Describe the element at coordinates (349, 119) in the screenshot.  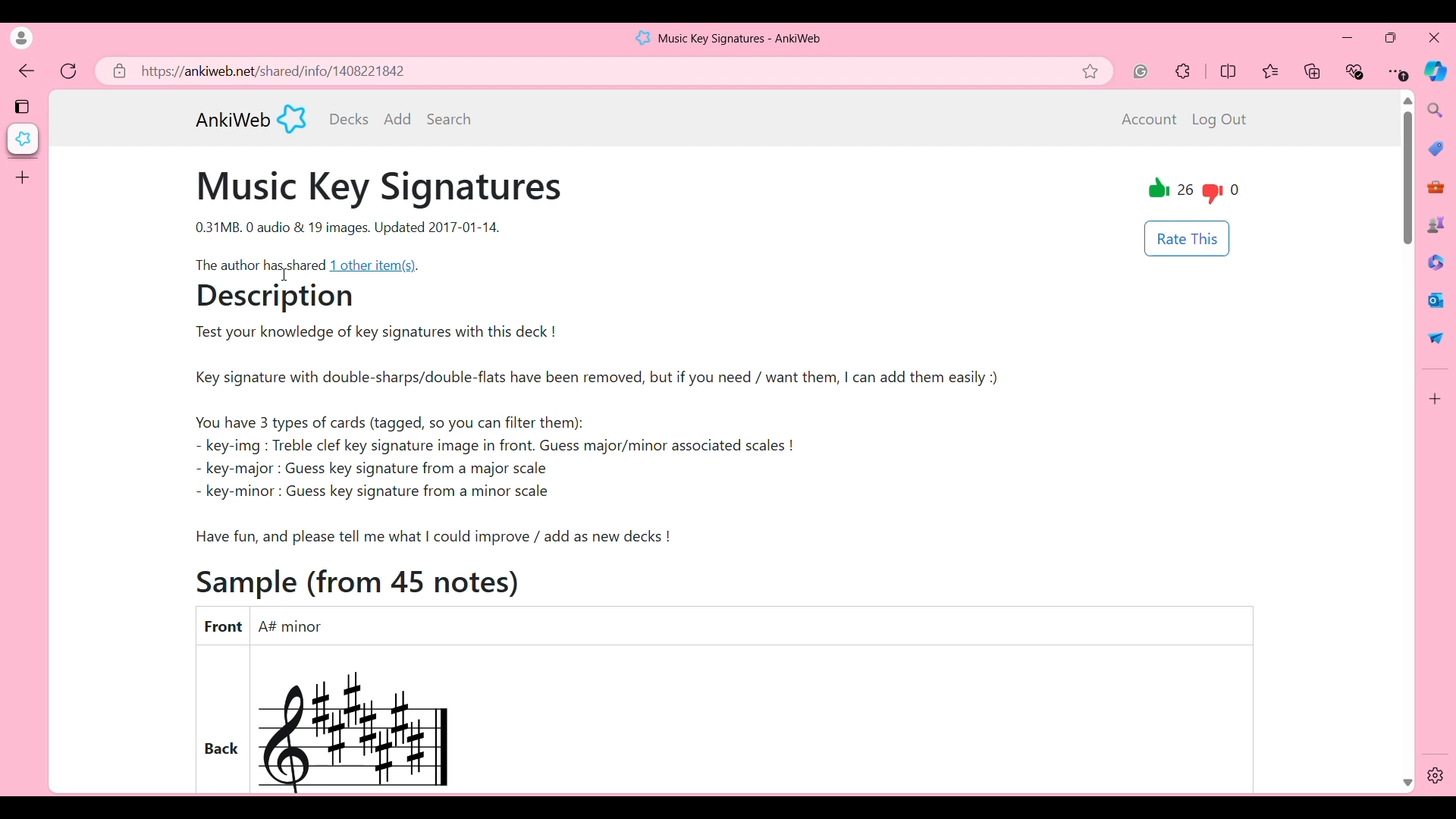
I see `Decks` at that location.